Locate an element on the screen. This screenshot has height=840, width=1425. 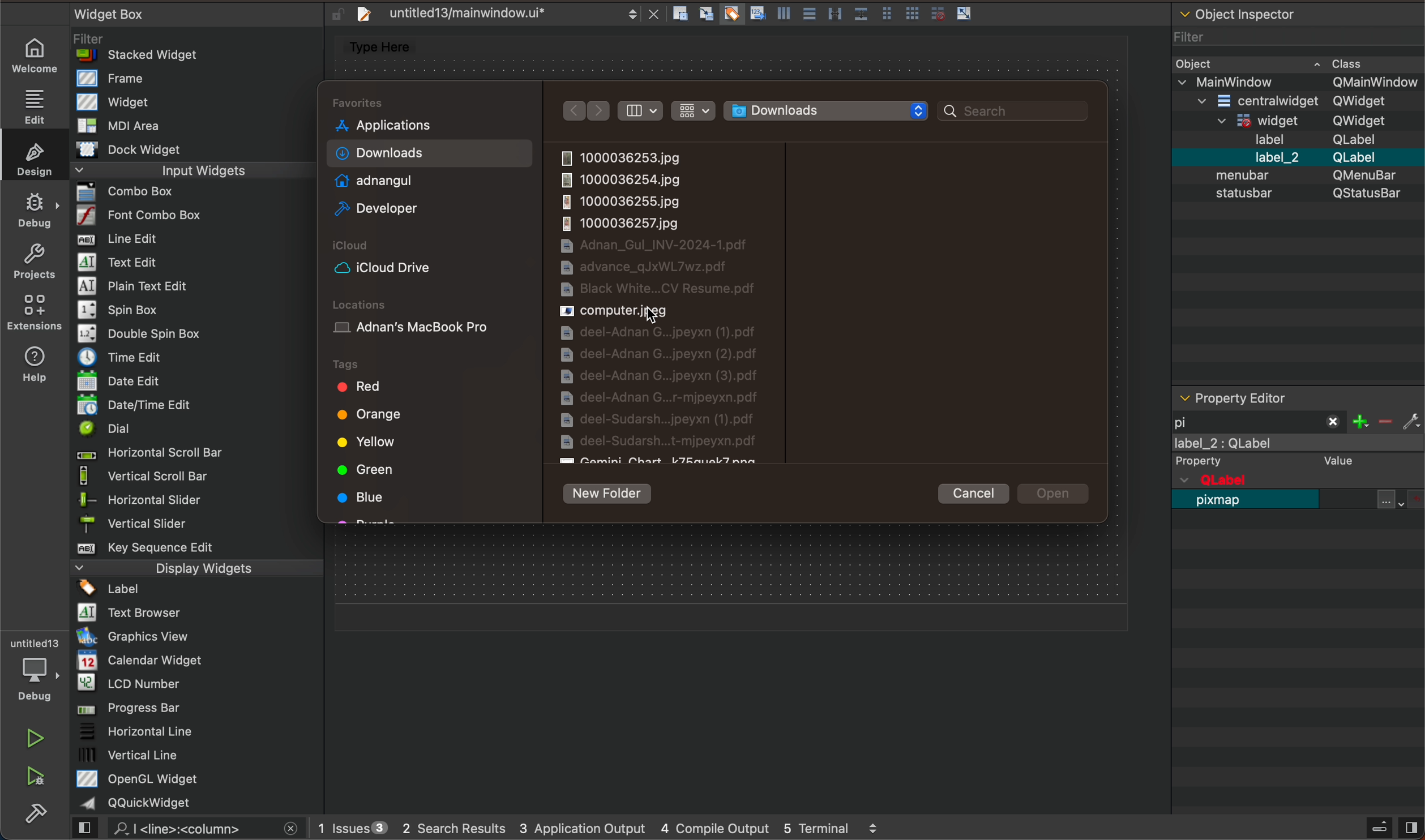
help is located at coordinates (40, 362).